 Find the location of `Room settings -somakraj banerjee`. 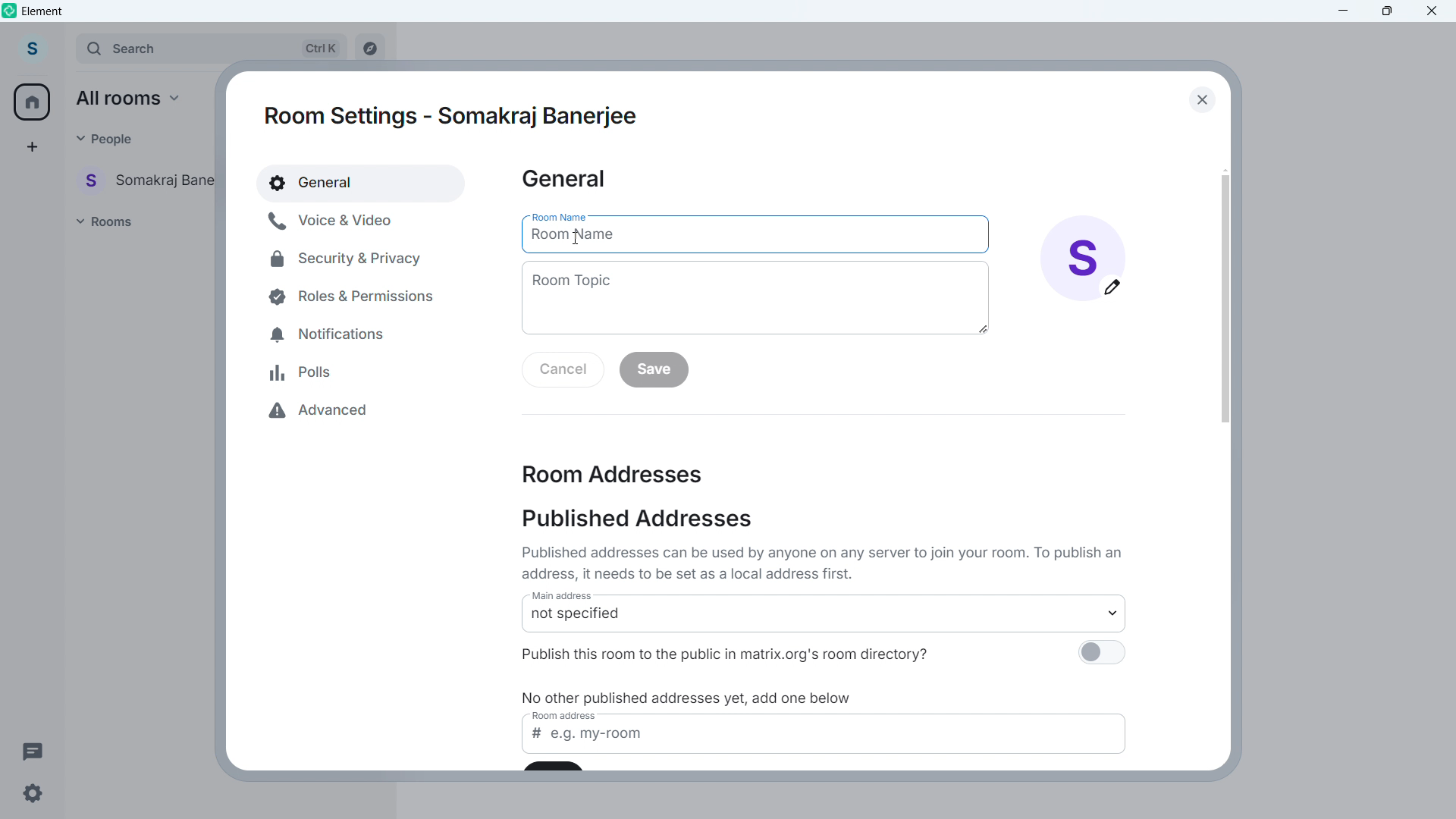

Room settings -somakraj banerjee is located at coordinates (454, 116).